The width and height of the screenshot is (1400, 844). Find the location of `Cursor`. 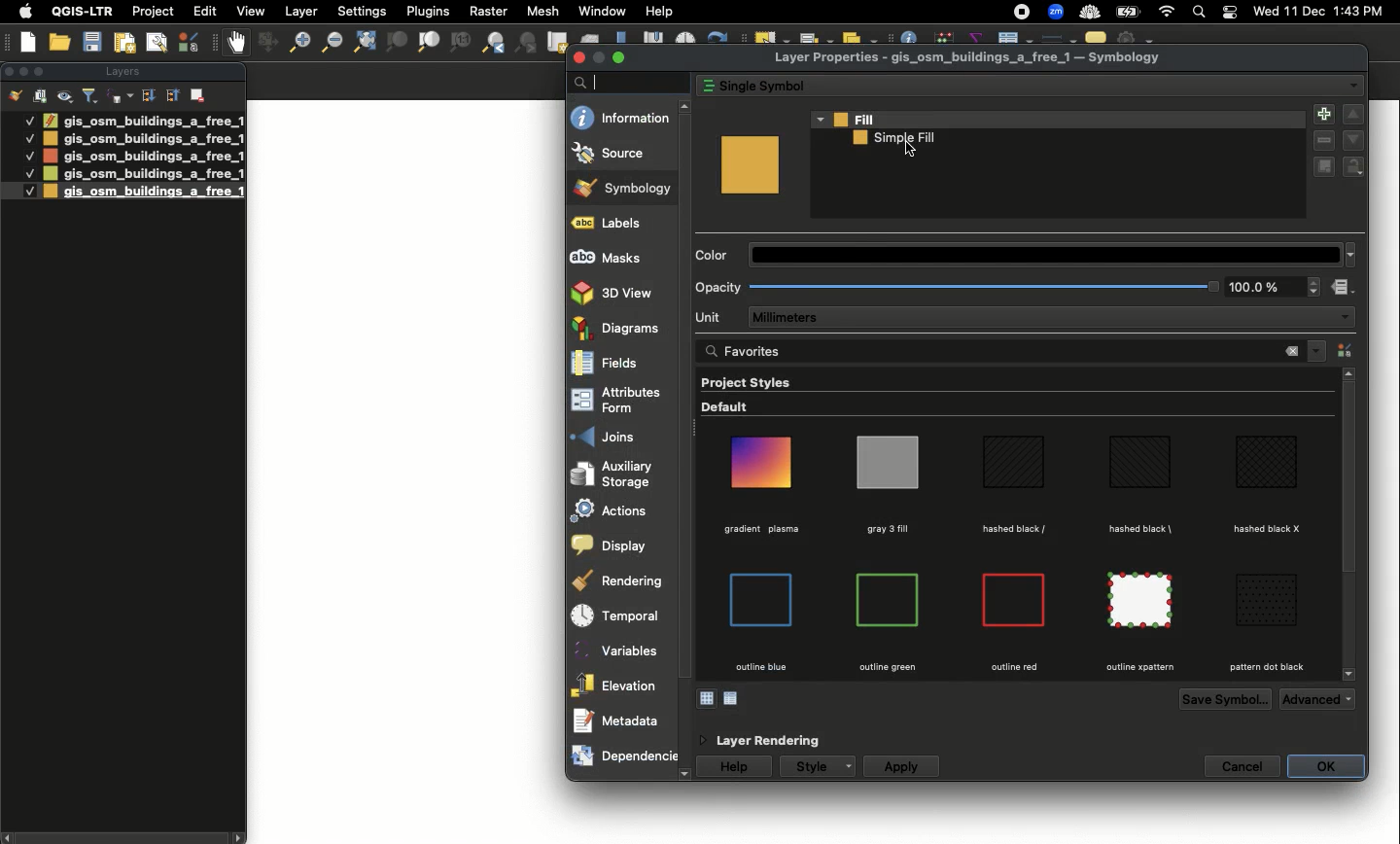

Cursor is located at coordinates (909, 151).